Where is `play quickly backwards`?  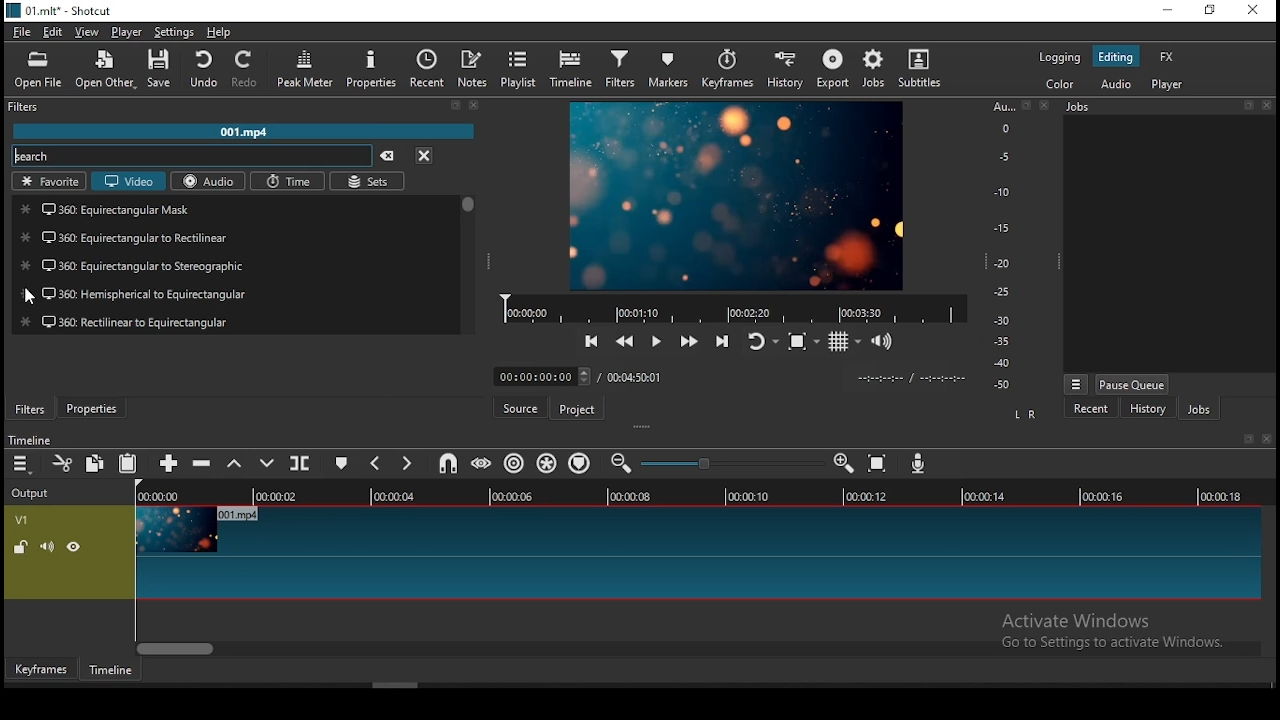
play quickly backwards is located at coordinates (623, 346).